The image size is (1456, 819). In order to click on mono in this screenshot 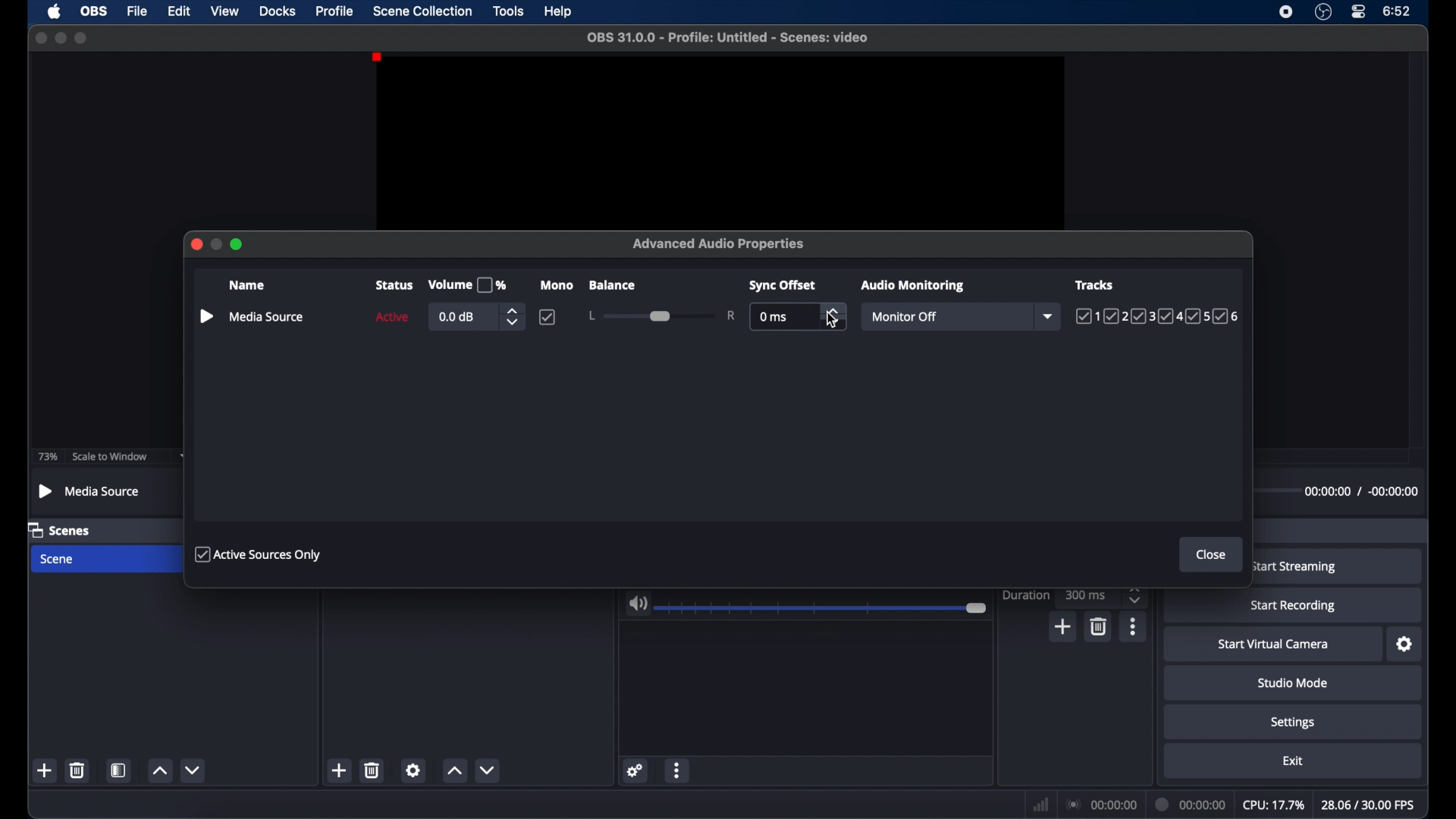, I will do `click(557, 285)`.